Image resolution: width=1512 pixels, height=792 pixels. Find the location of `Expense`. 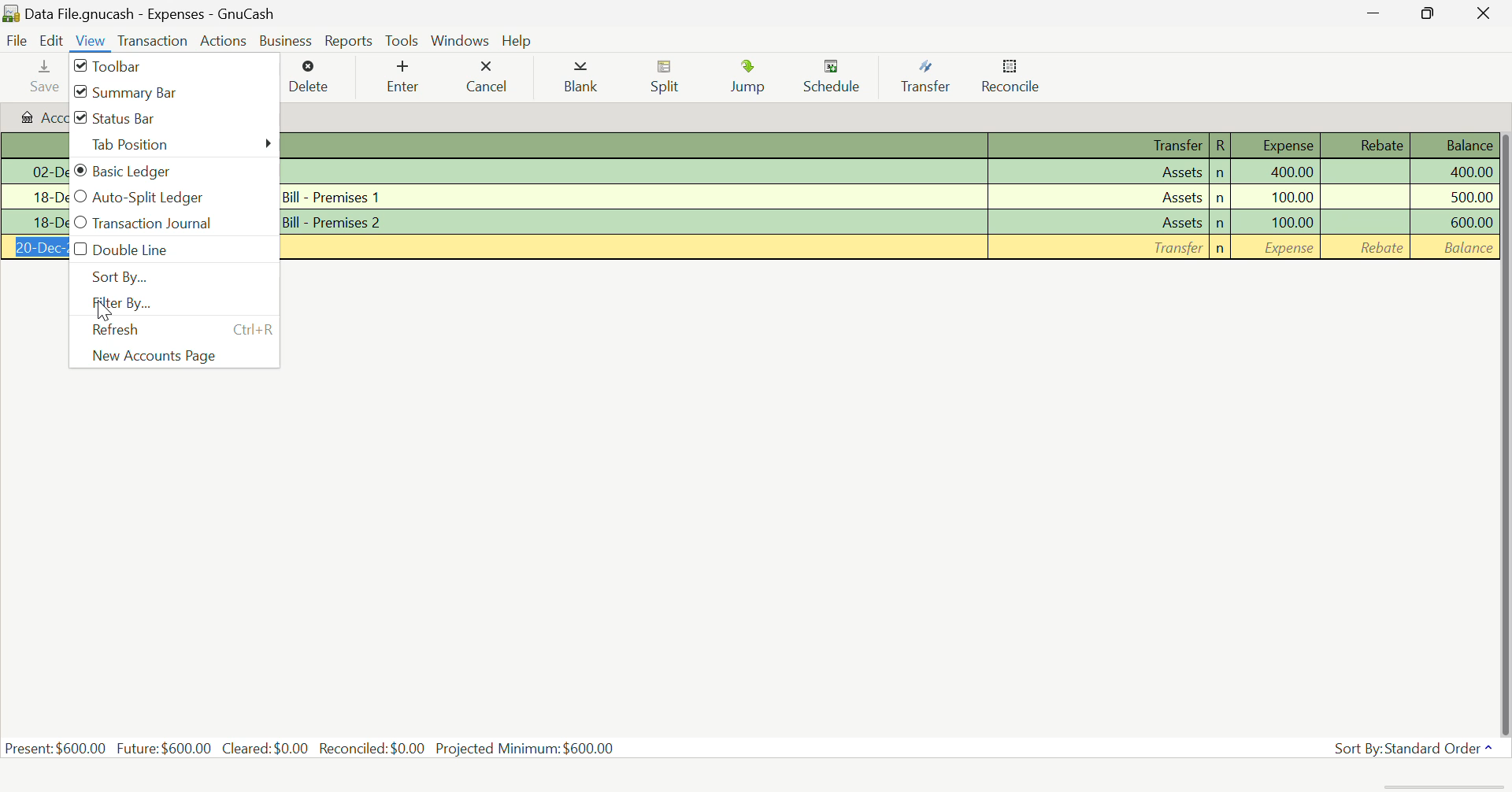

Expense is located at coordinates (1277, 146).